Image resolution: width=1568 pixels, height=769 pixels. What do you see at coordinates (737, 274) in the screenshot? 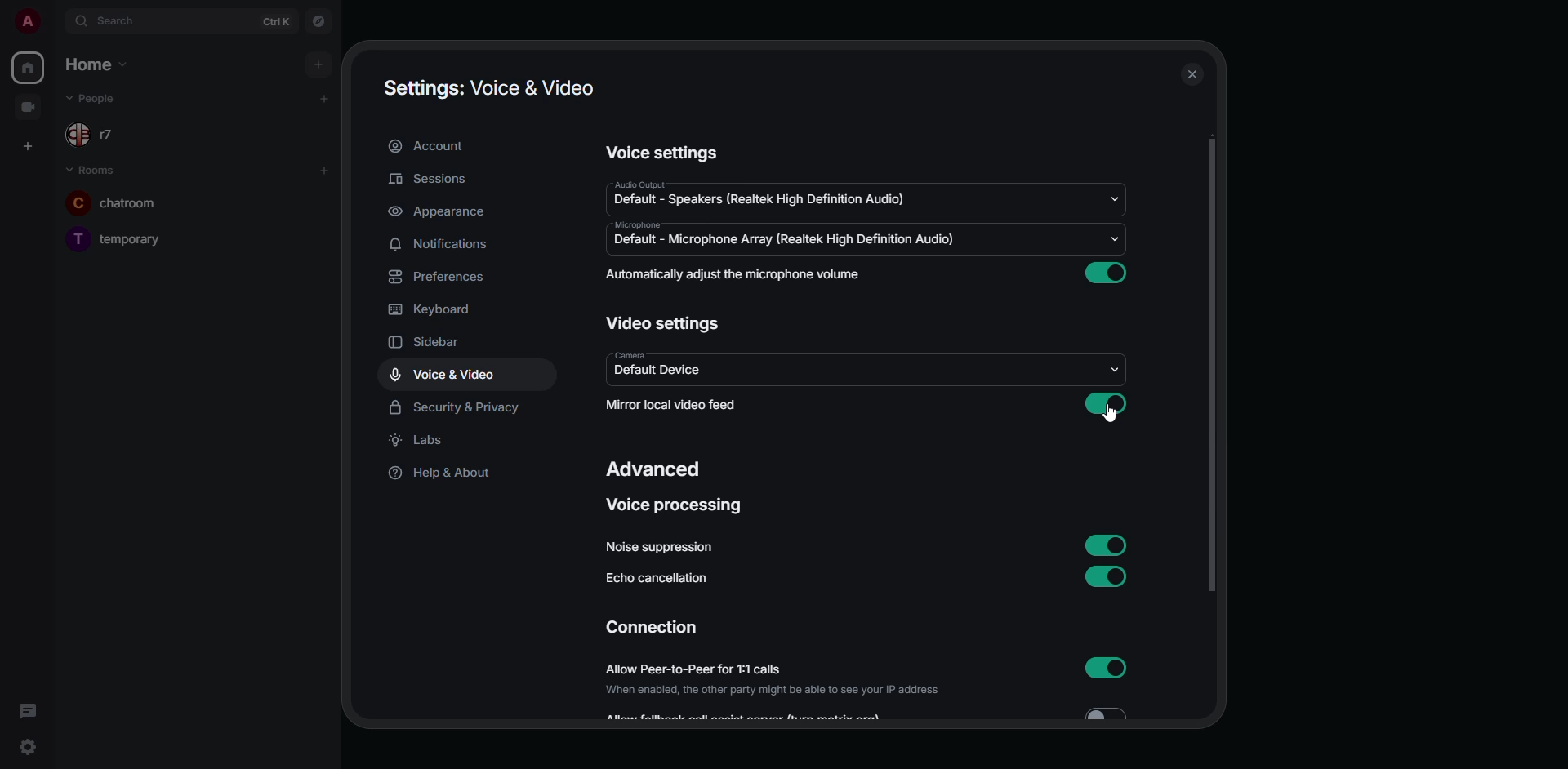
I see `automatically adjust mic volume` at bounding box center [737, 274].